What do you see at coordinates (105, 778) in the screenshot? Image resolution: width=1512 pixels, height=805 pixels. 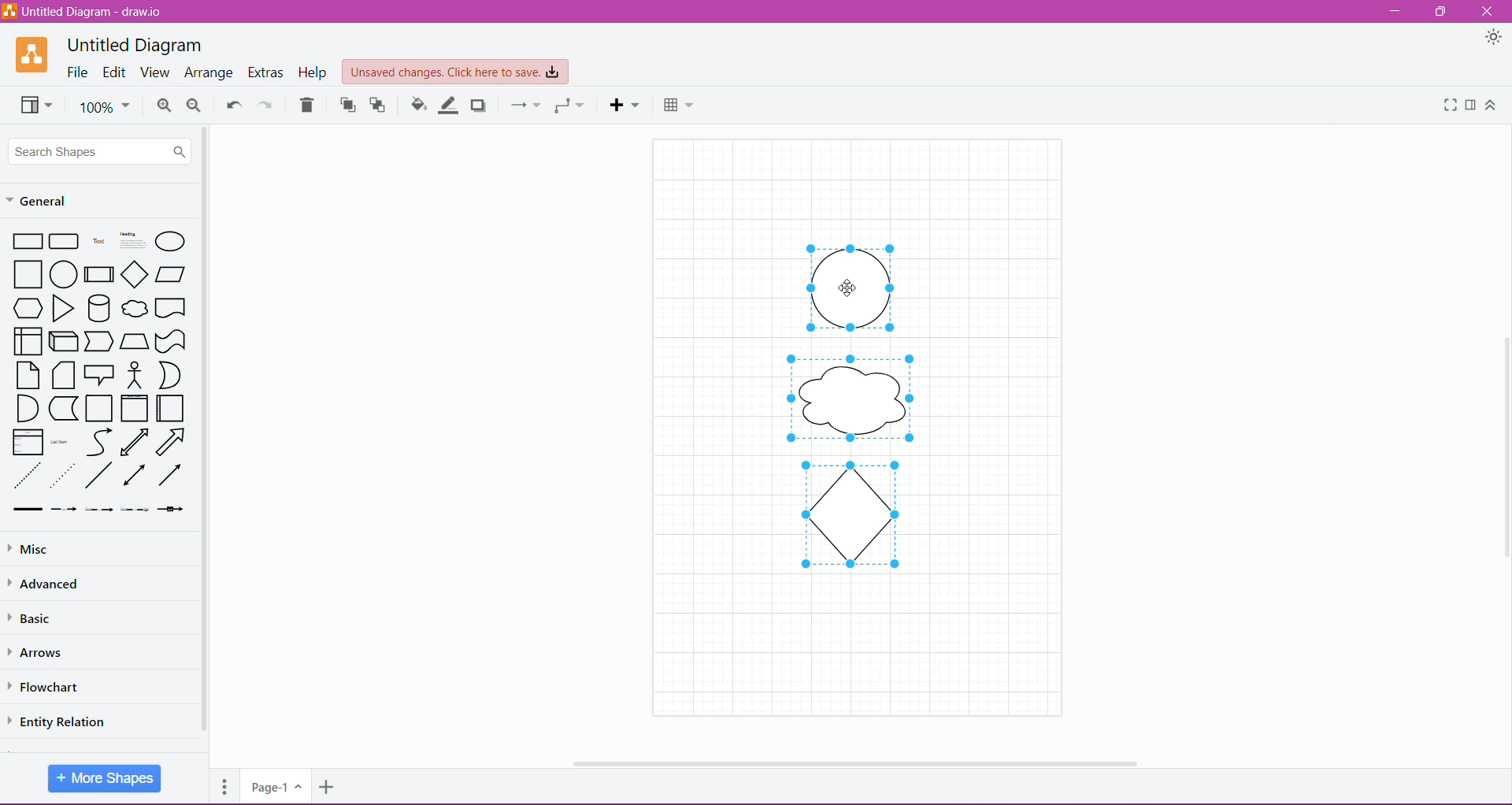 I see `More Shapes` at bounding box center [105, 778].